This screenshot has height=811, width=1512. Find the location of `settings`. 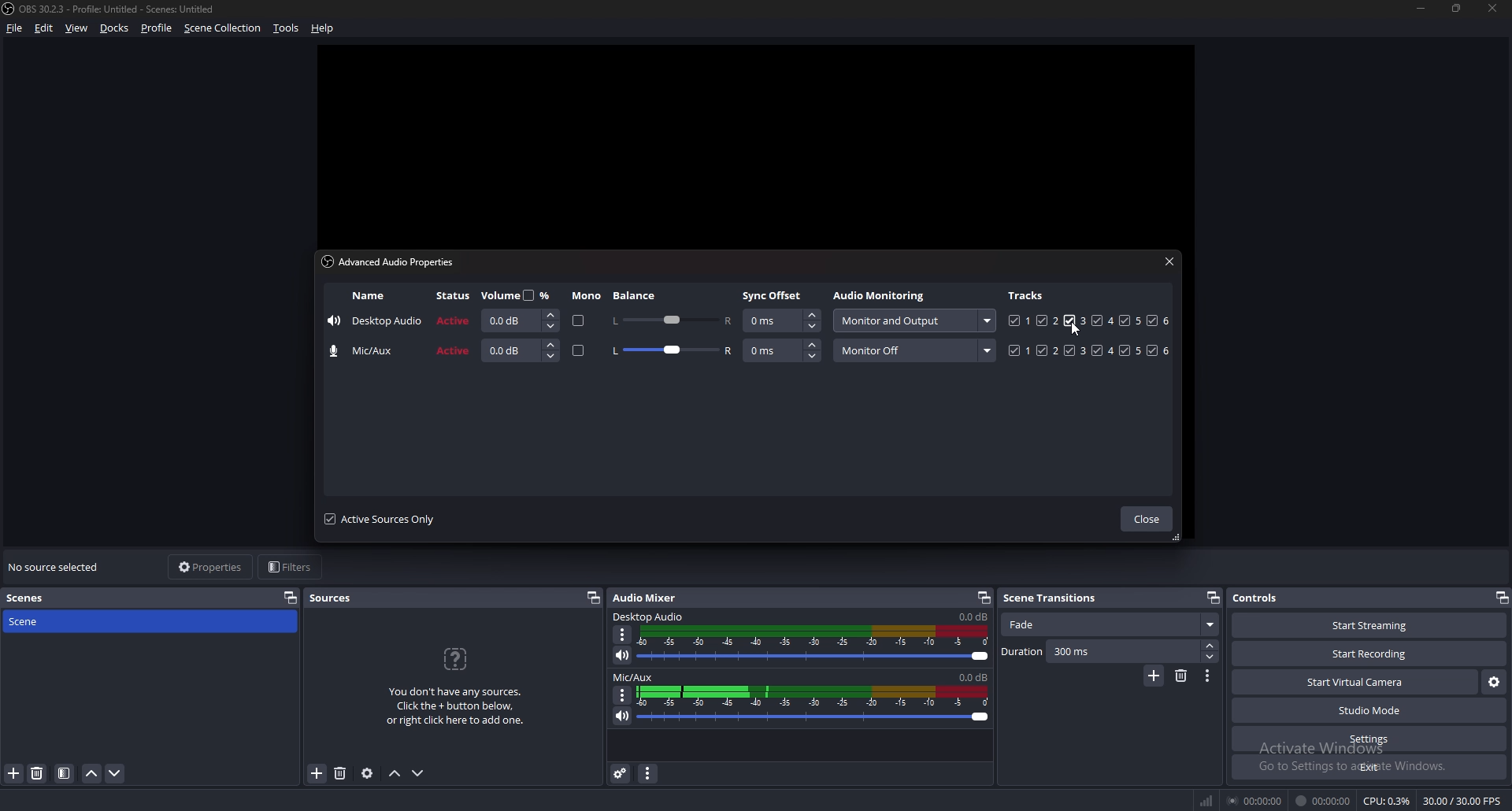

settings is located at coordinates (1369, 739).